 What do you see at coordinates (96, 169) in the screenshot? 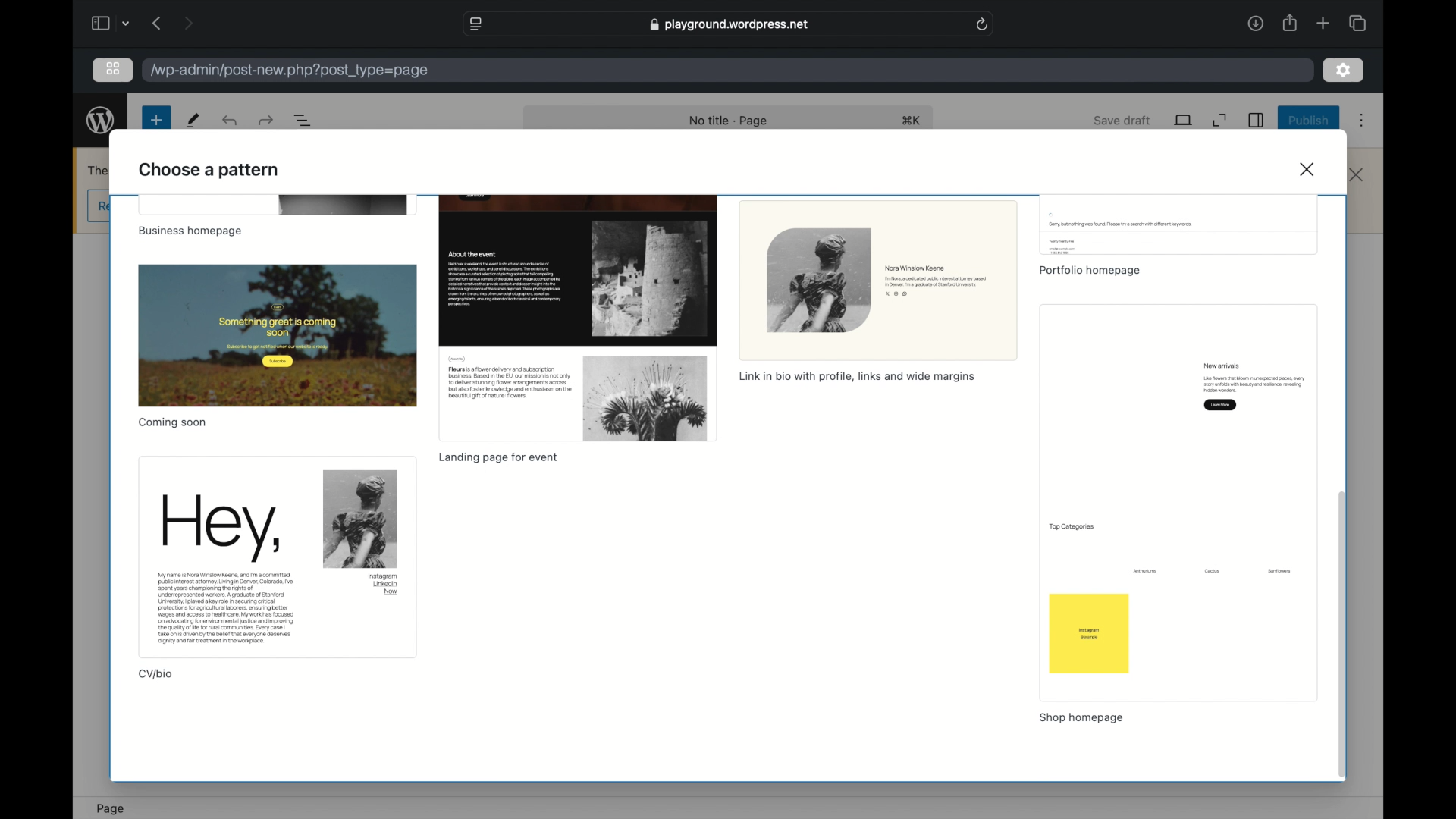
I see `obscure text` at bounding box center [96, 169].